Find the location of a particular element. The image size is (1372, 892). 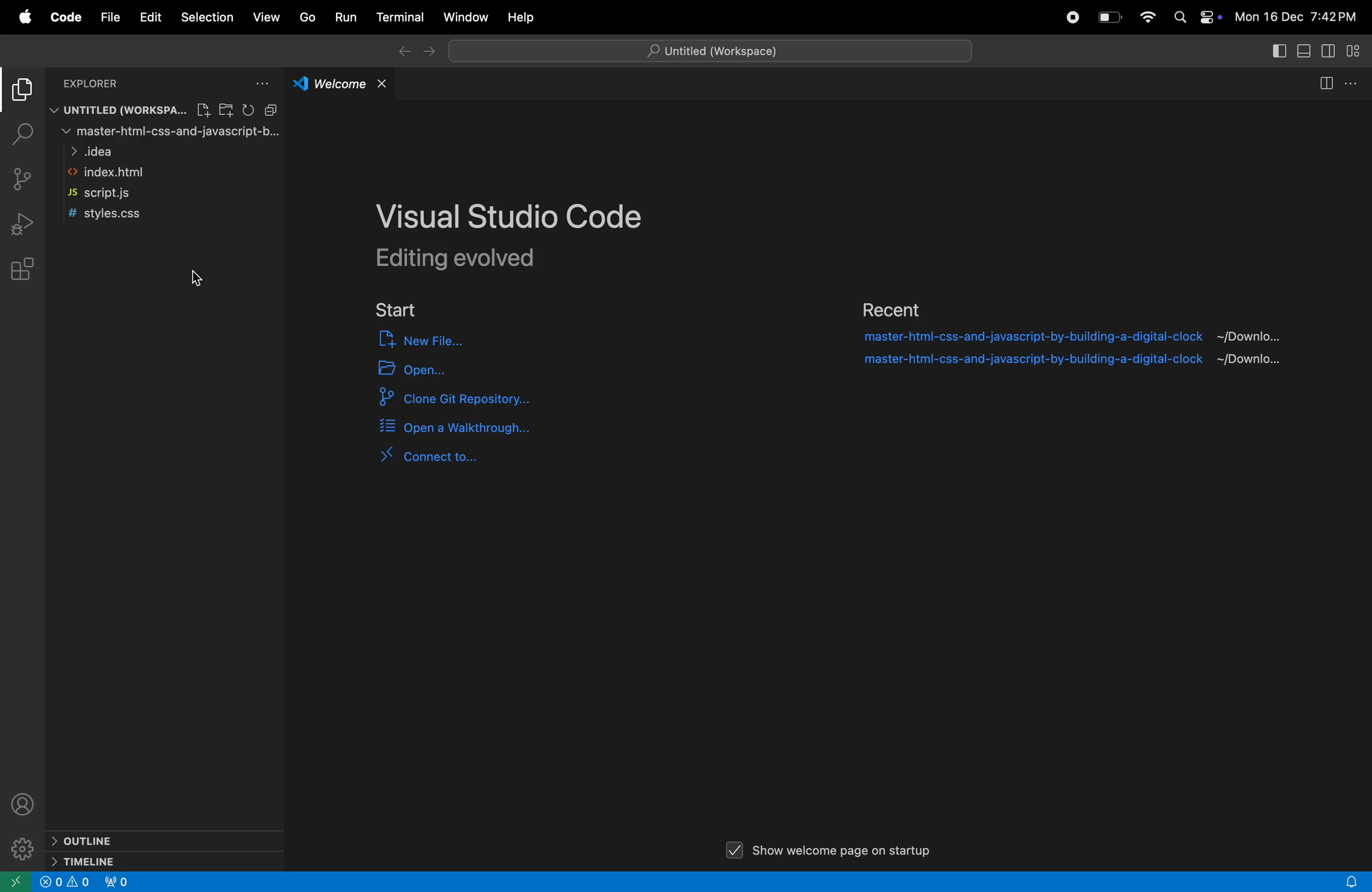

spotlight search is located at coordinates (1179, 18).